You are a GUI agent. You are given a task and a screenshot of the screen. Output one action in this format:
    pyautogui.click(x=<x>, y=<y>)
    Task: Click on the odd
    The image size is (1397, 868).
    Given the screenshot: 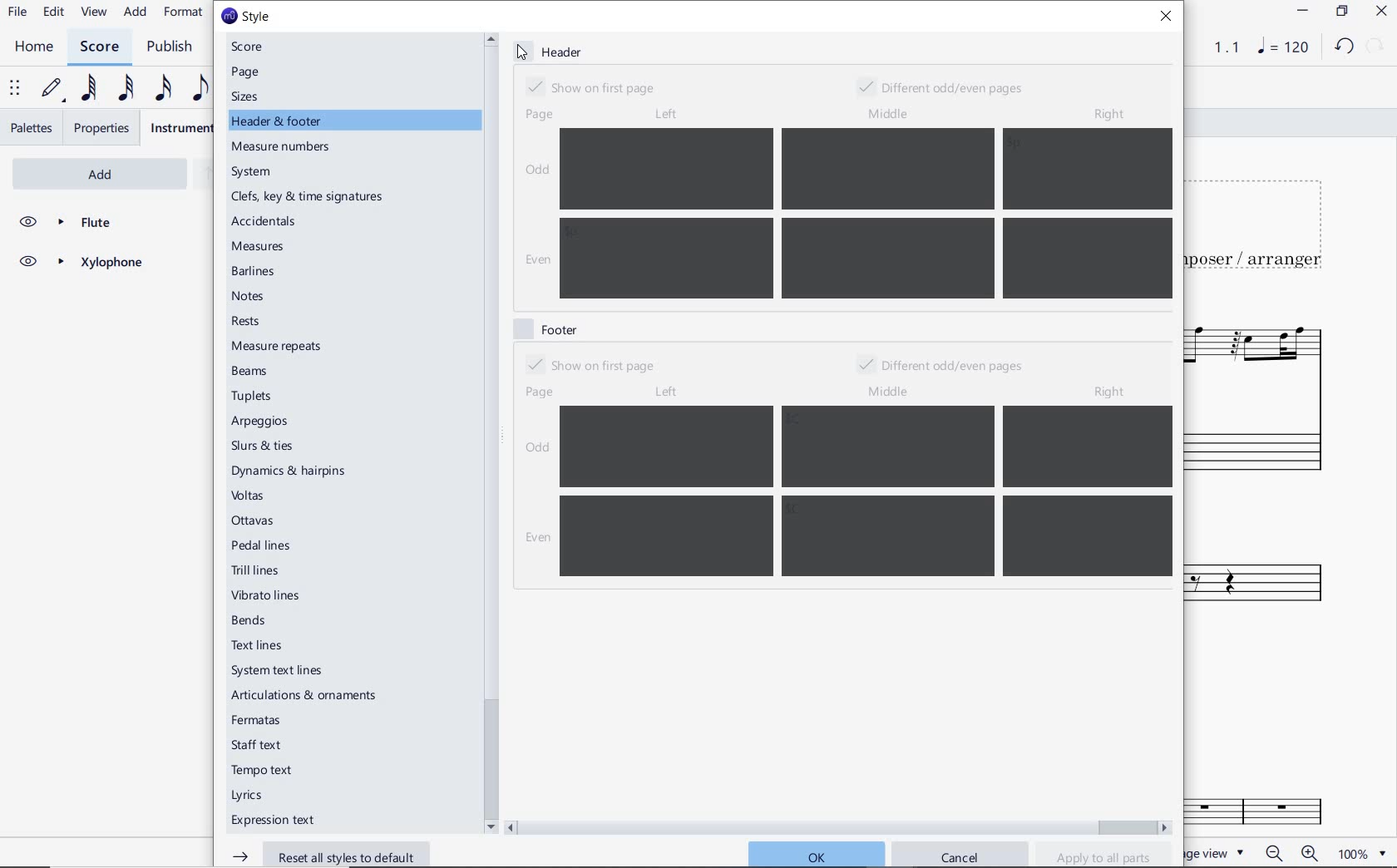 What is the action you would take?
    pyautogui.click(x=538, y=450)
    